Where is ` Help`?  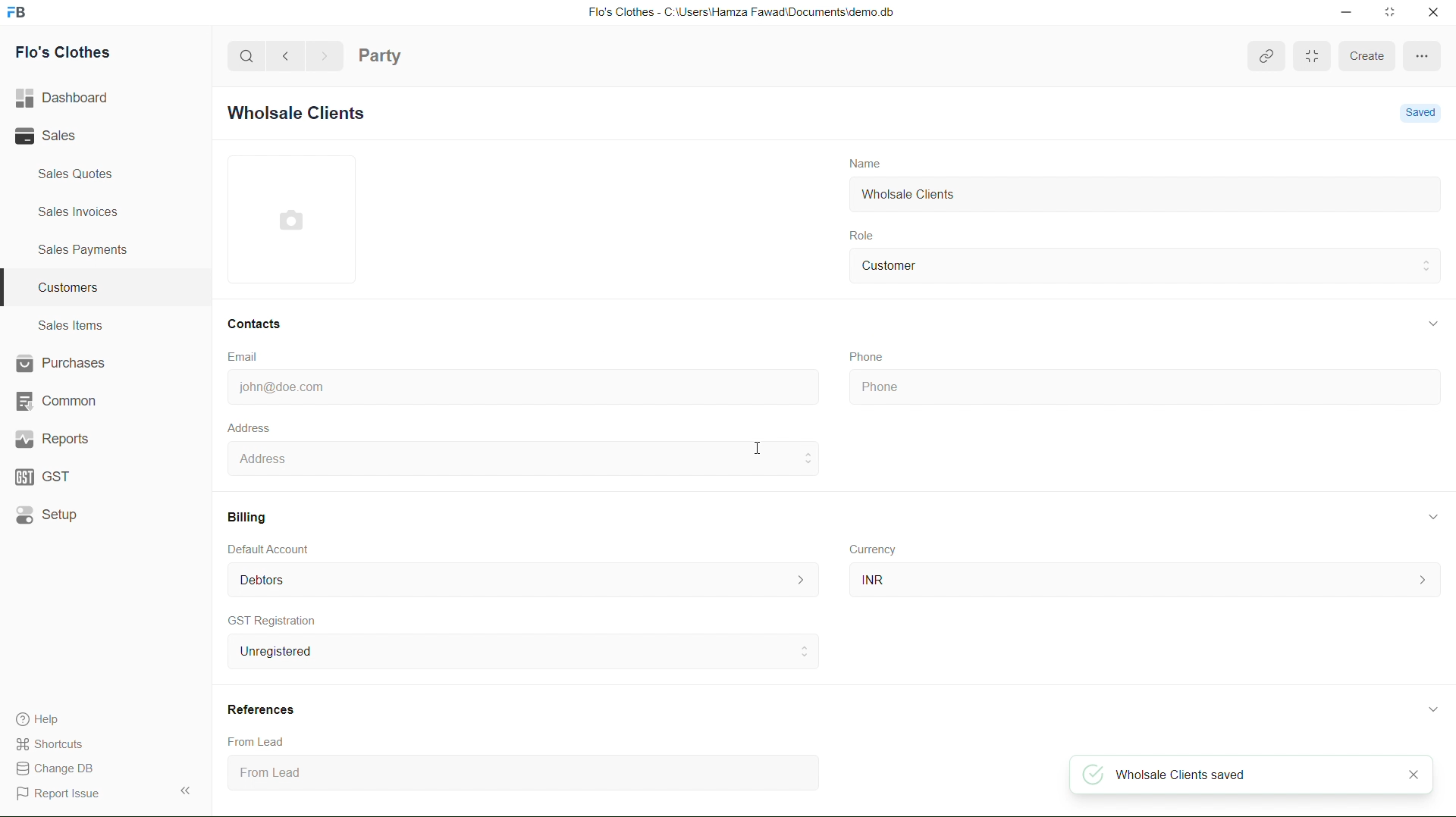  Help is located at coordinates (45, 717).